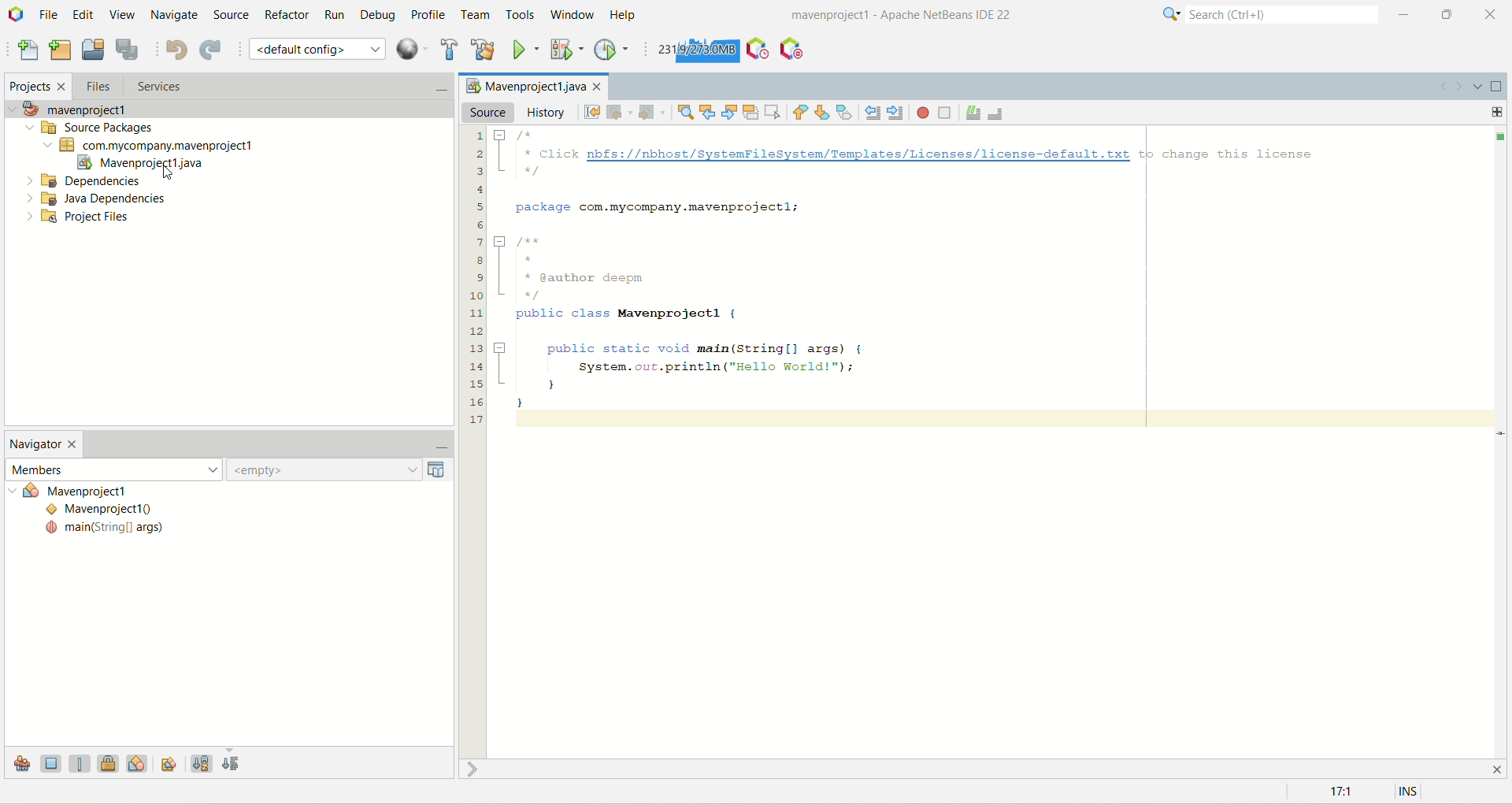 The height and width of the screenshot is (805, 1512). I want to click on project files, so click(80, 218).